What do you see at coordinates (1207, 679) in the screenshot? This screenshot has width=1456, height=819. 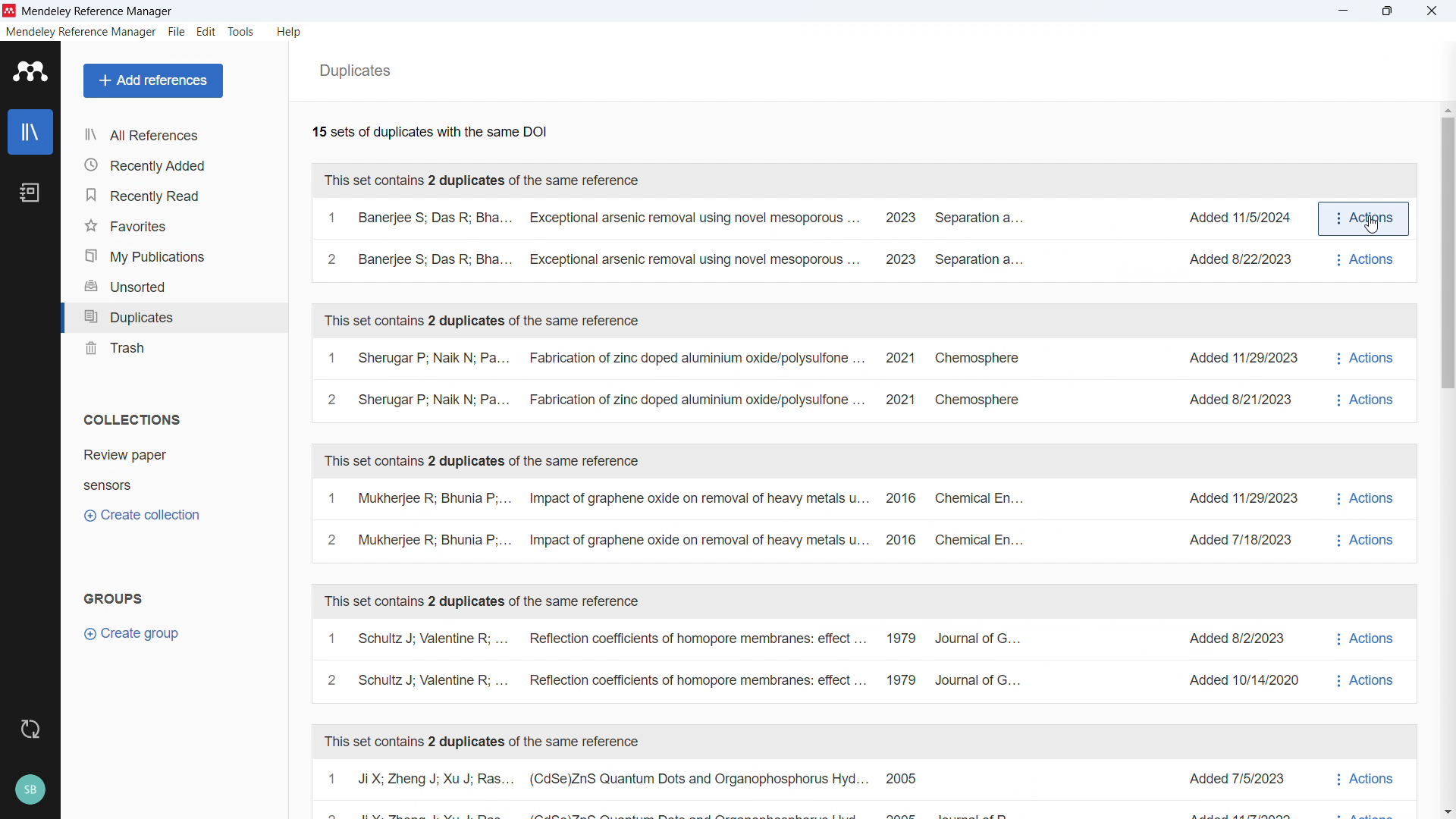 I see `nal of G.... Added 10/14/2020 i` at bounding box center [1207, 679].